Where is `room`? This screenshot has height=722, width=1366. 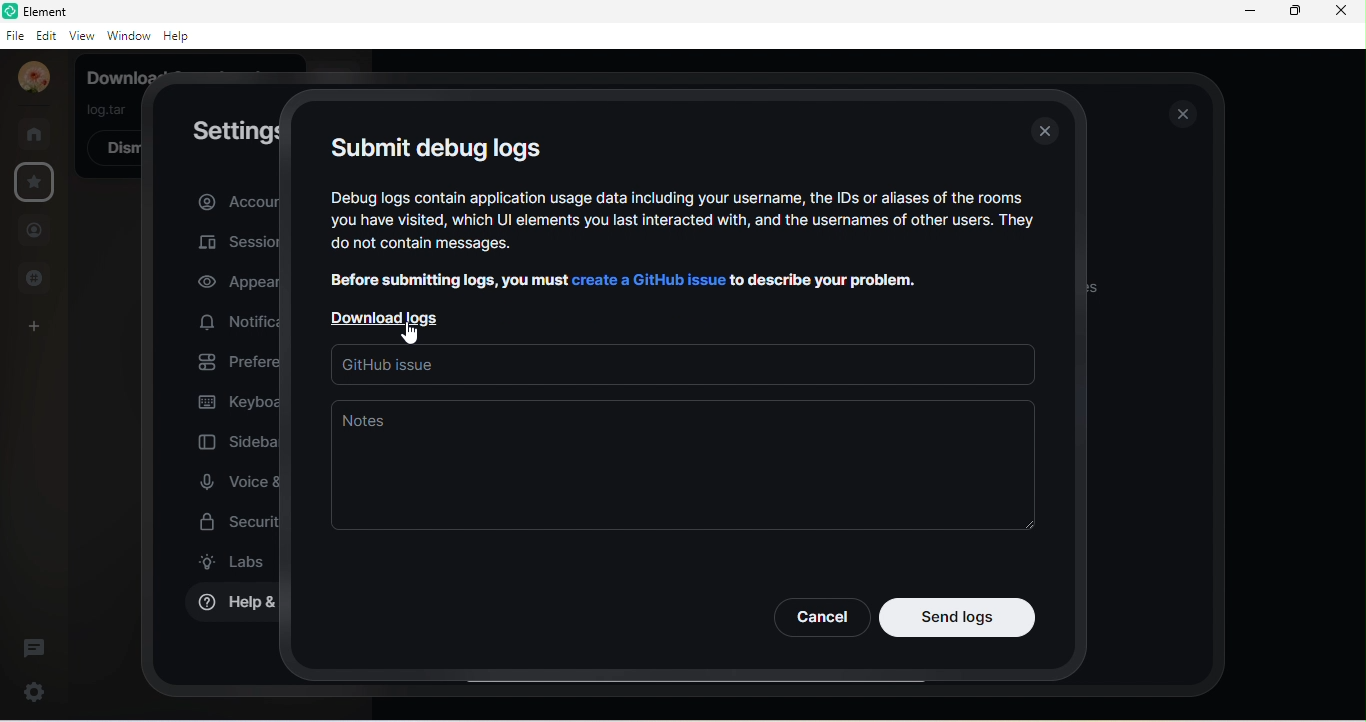 room is located at coordinates (35, 131).